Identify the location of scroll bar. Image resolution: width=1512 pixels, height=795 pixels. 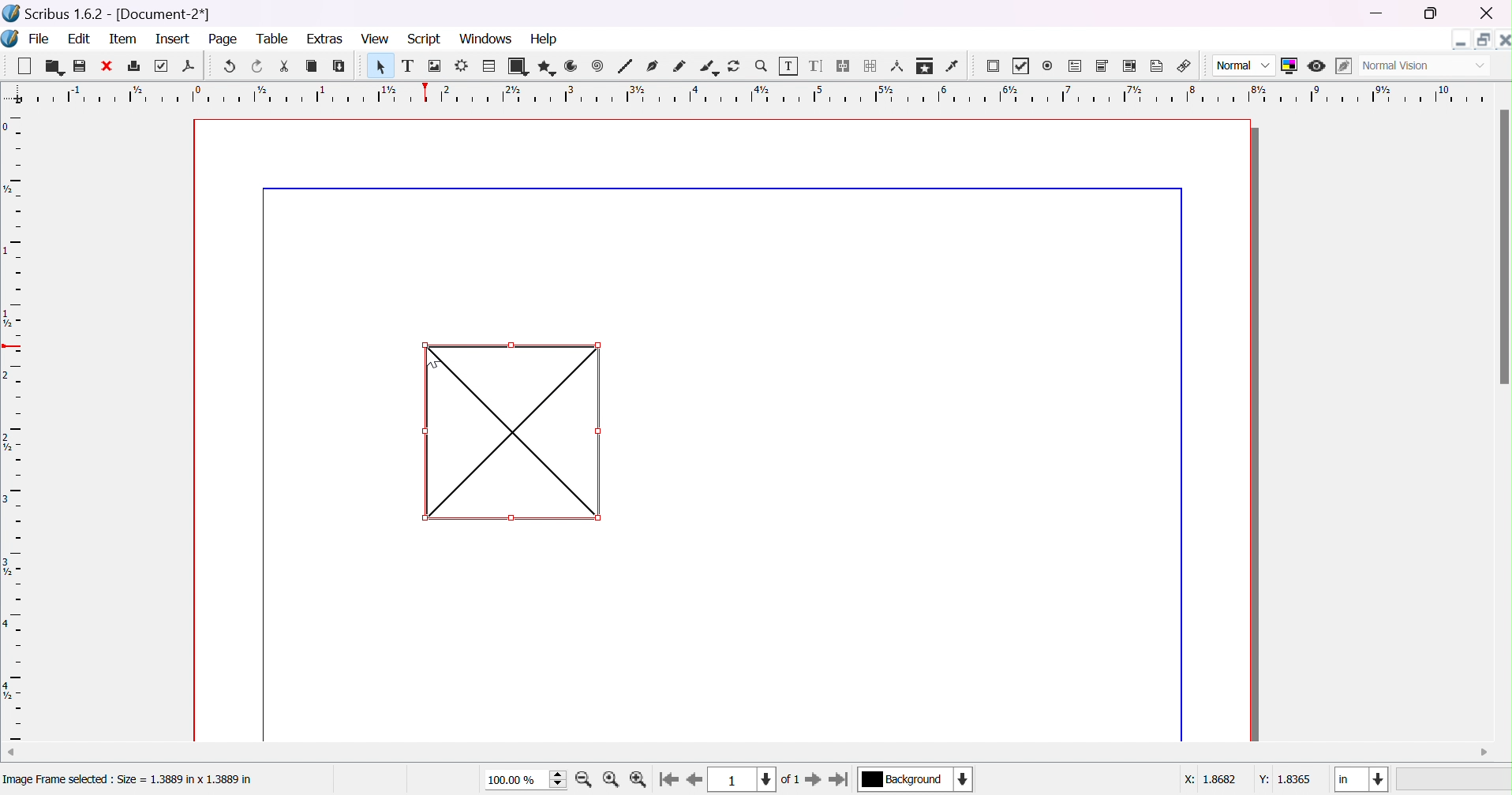
(1503, 247).